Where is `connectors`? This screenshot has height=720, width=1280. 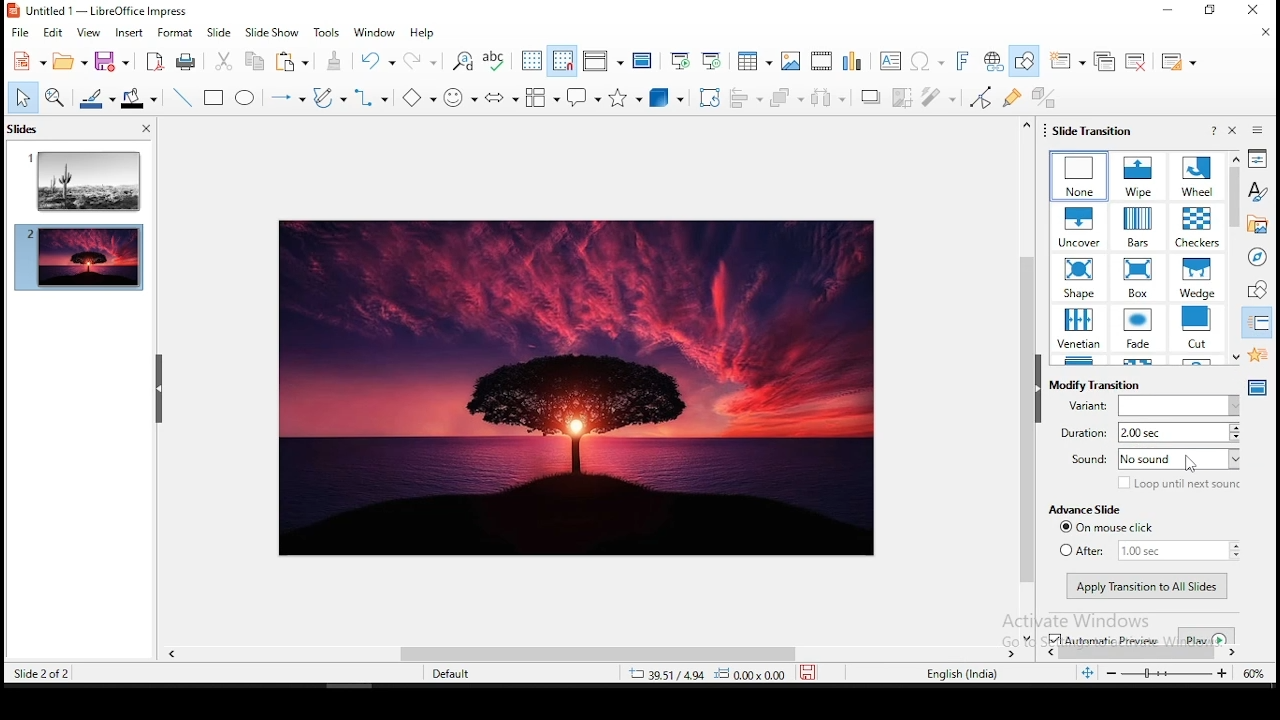 connectors is located at coordinates (369, 97).